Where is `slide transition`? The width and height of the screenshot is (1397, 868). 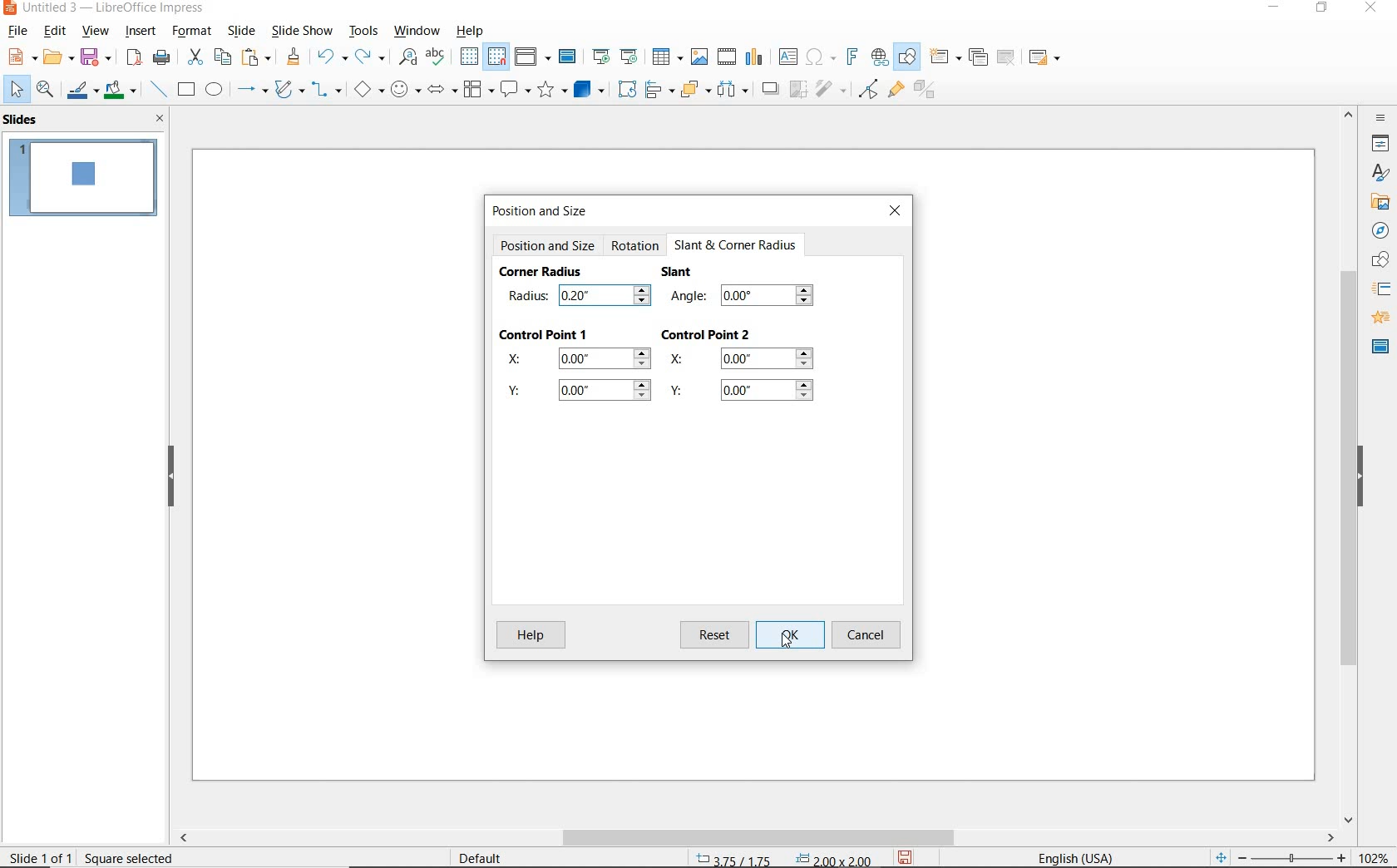
slide transition is located at coordinates (1380, 289).